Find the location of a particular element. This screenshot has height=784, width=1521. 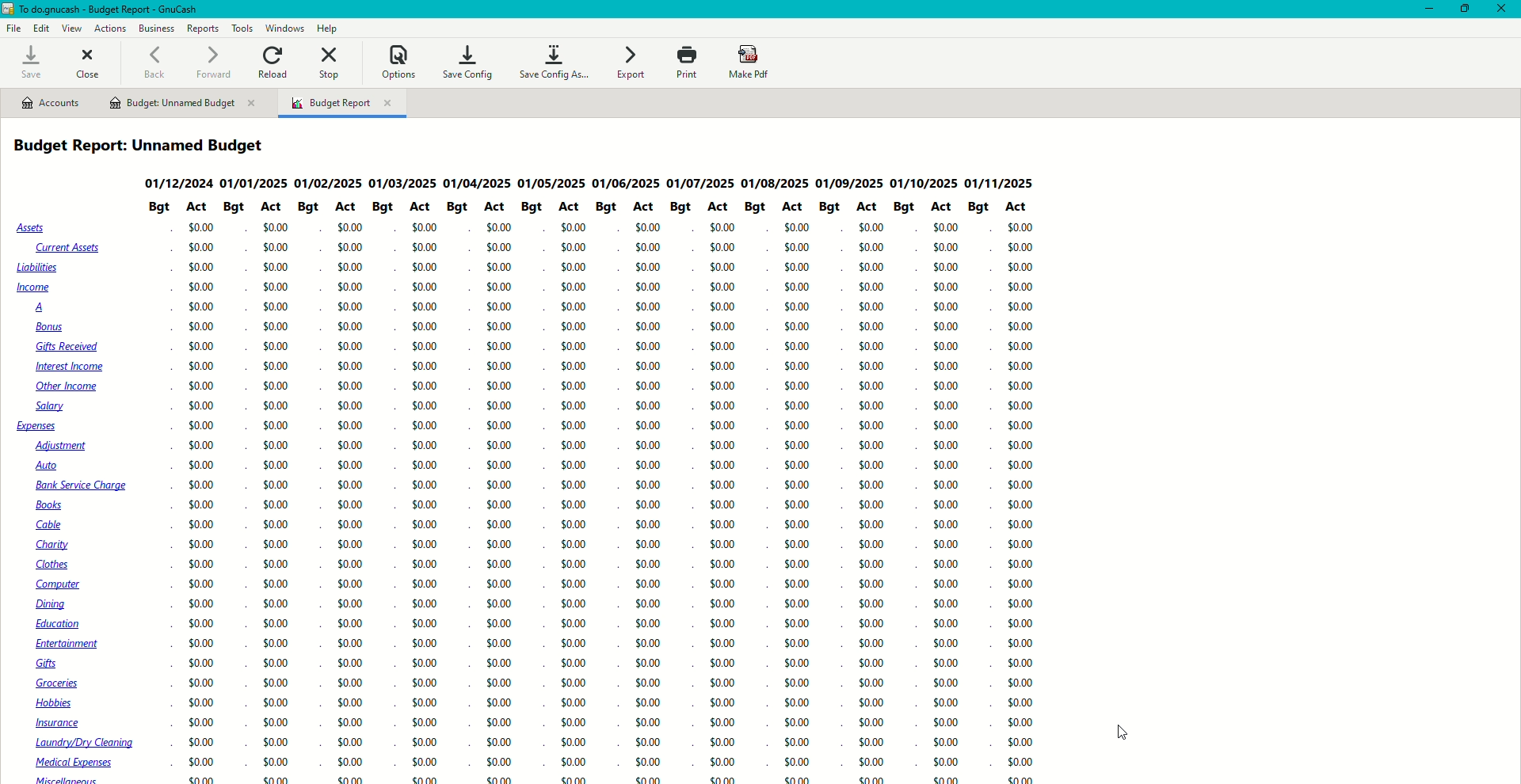

Back is located at coordinates (154, 63).